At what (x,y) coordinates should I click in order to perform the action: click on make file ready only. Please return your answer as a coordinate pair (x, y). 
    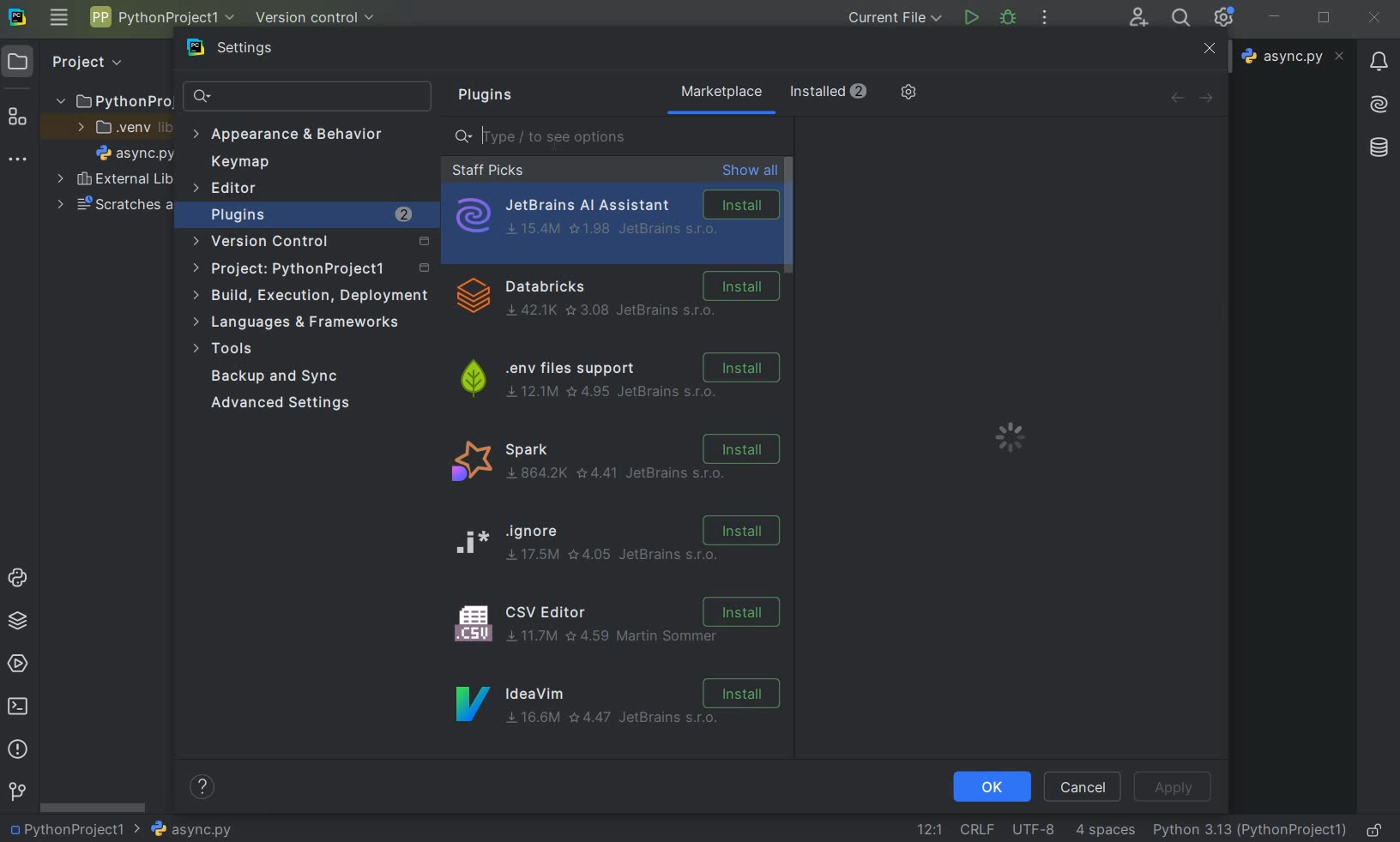
    Looking at the image, I should click on (1378, 830).